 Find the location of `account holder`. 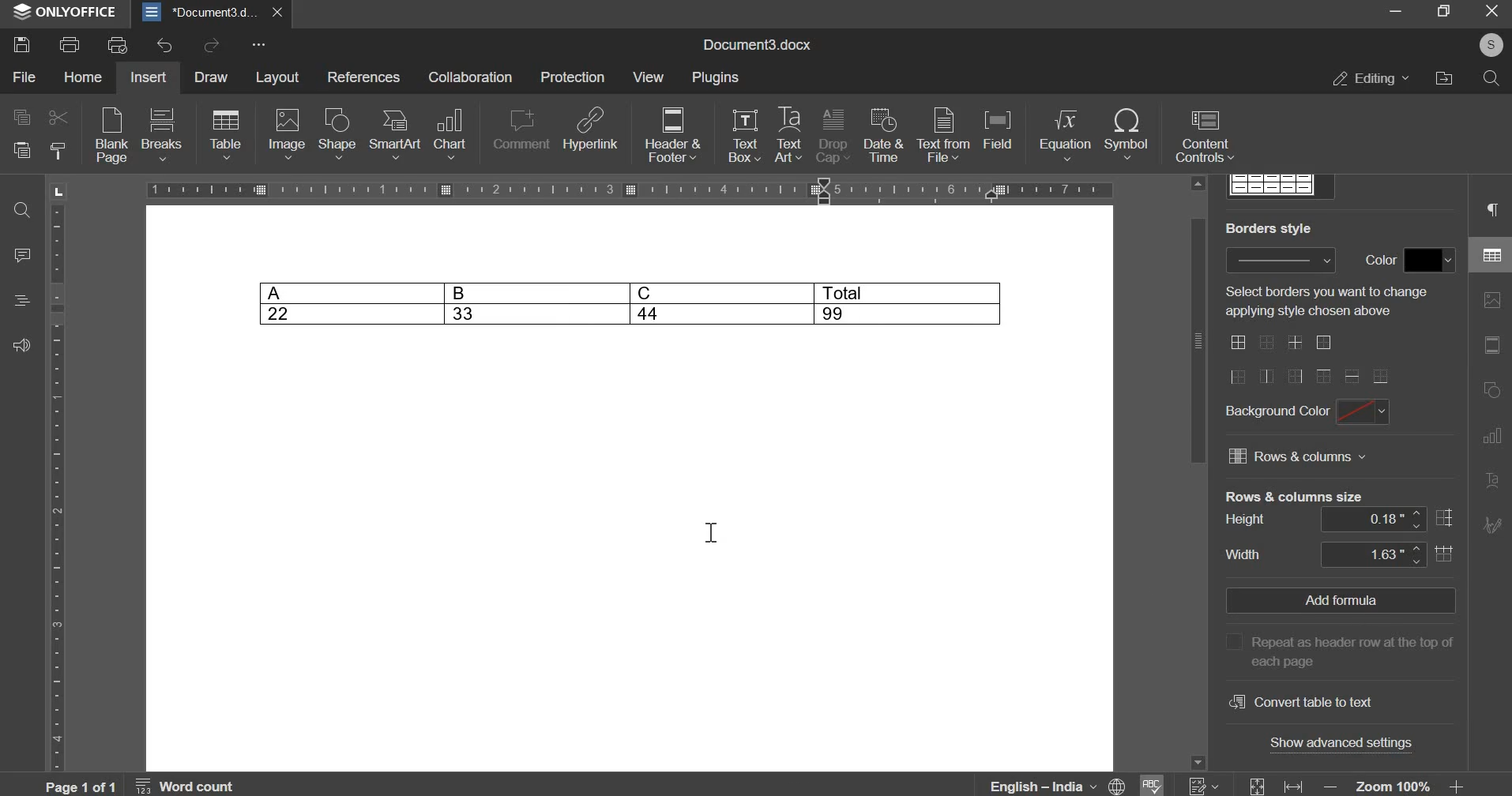

account holder is located at coordinates (1491, 45).